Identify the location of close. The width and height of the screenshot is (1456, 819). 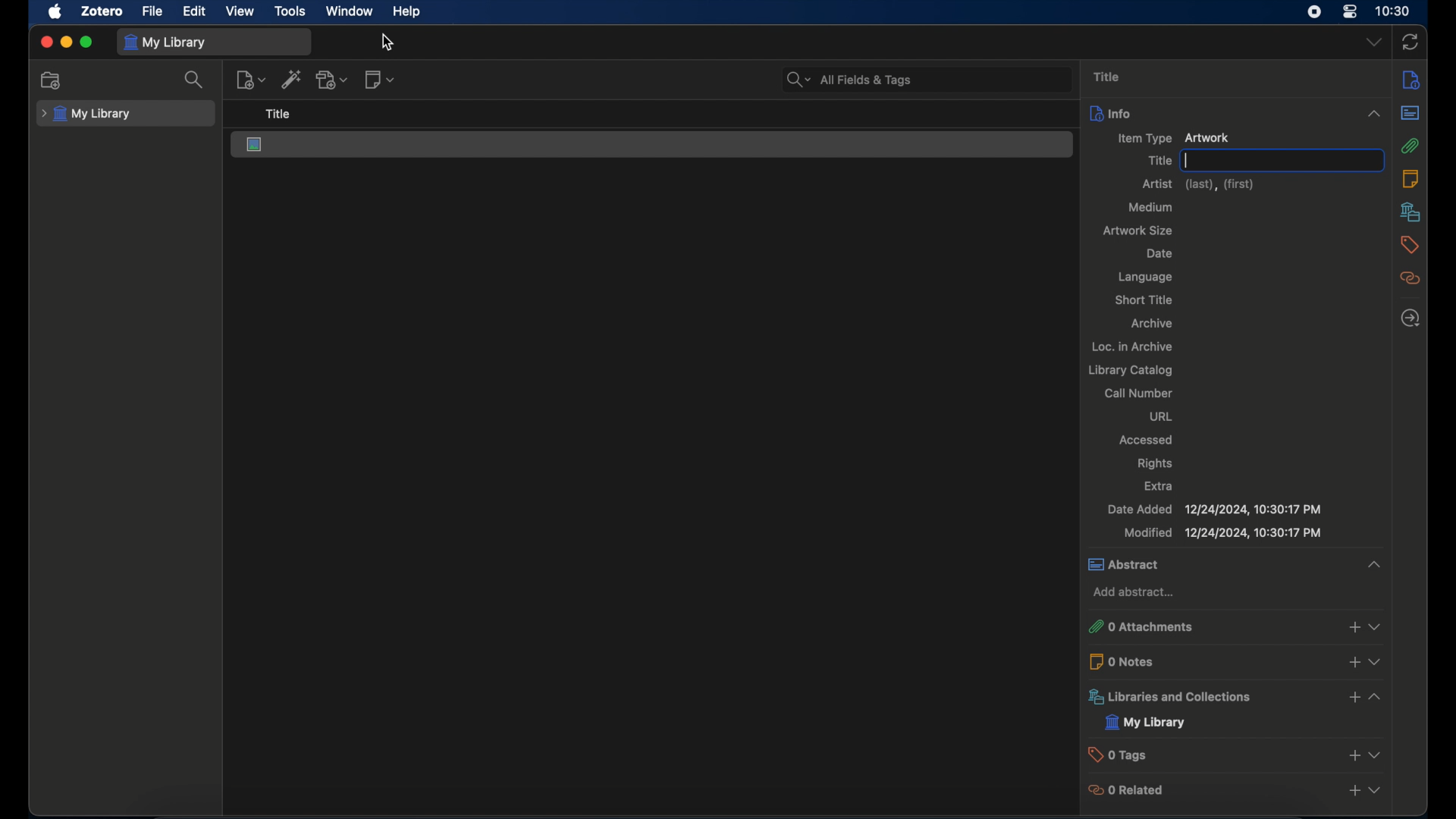
(47, 42).